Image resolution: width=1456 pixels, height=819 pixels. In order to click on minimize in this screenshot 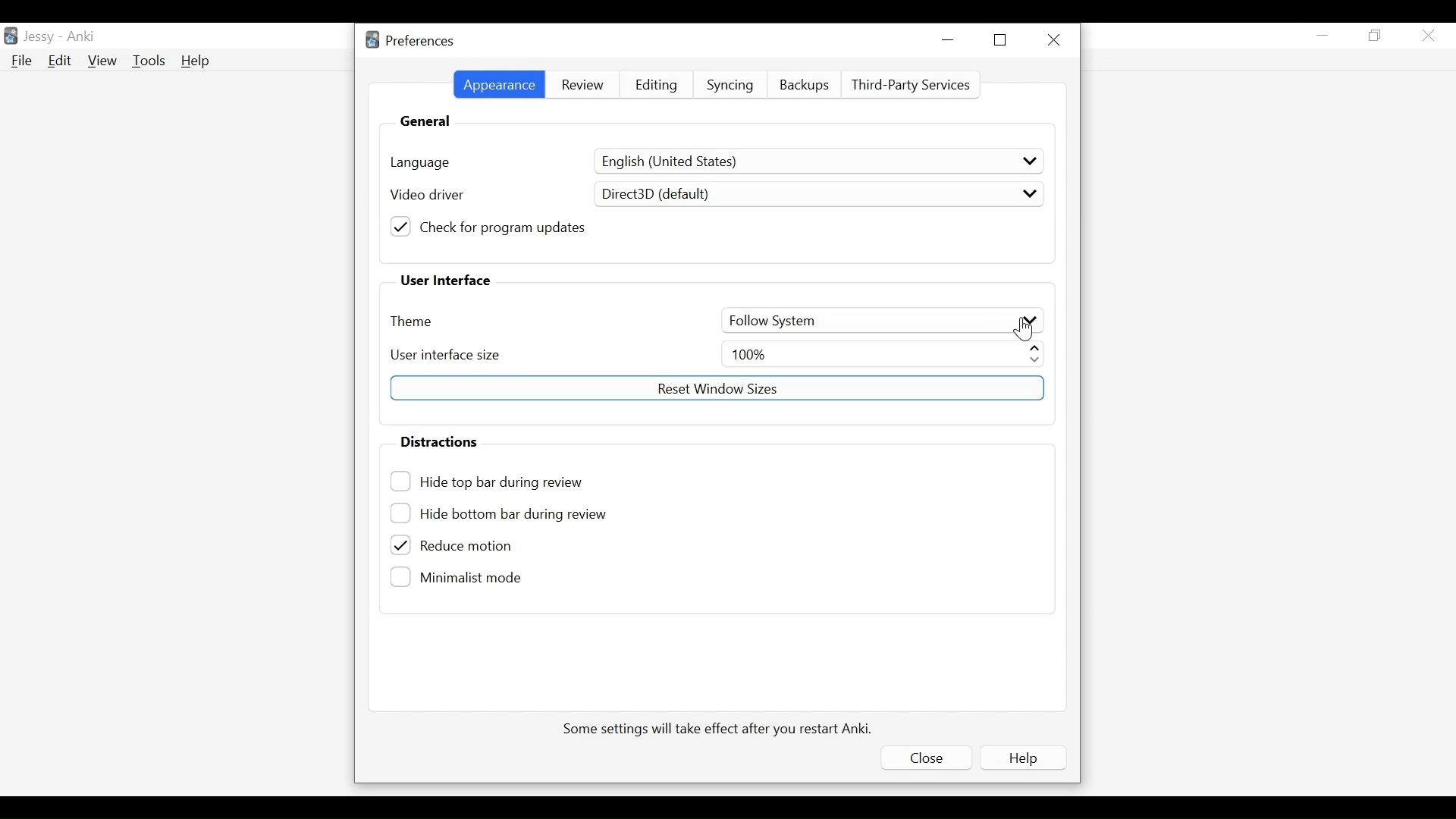, I will do `click(948, 39)`.